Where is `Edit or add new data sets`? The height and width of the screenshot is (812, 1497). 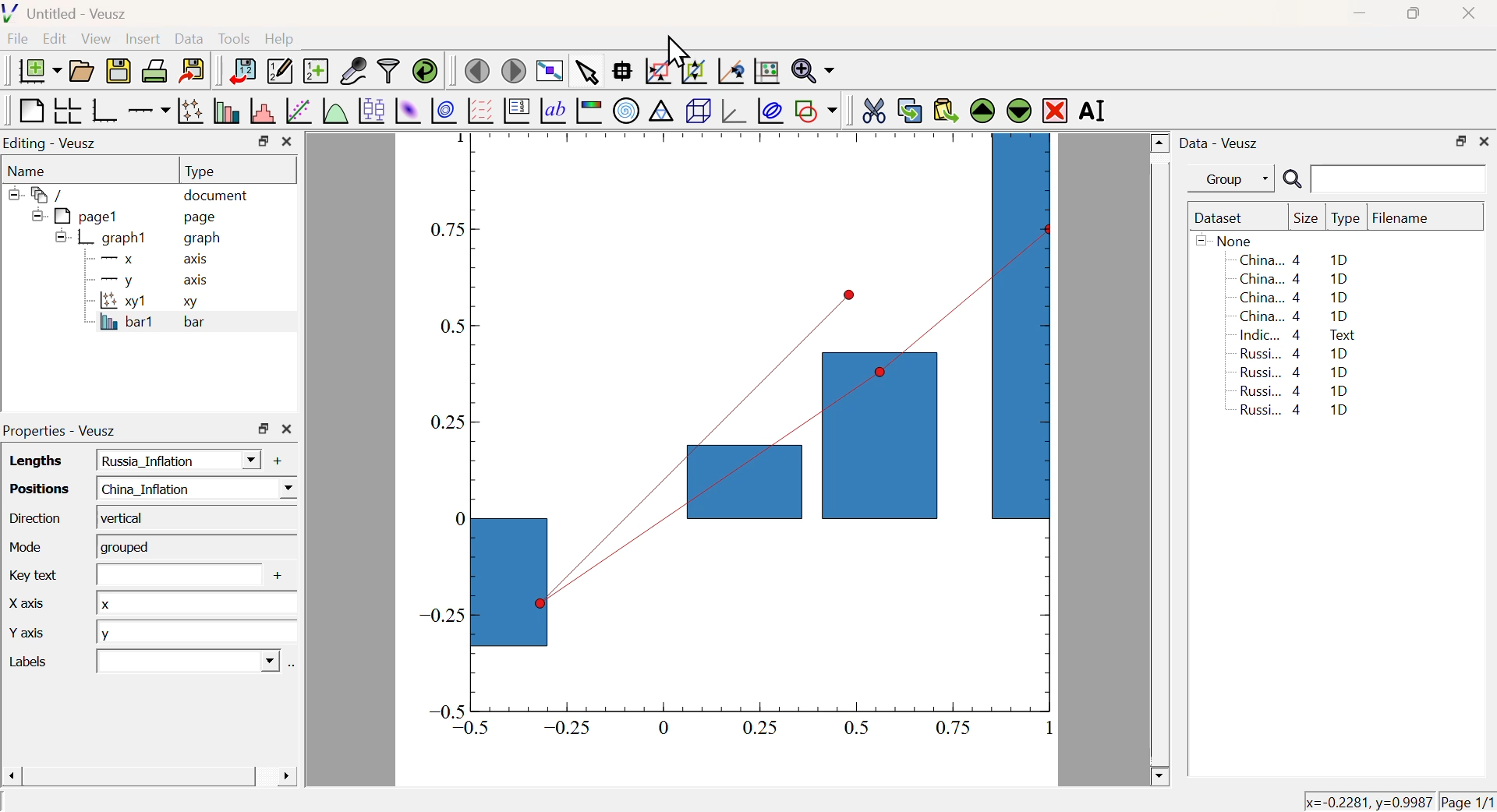
Edit or add new data sets is located at coordinates (278, 72).